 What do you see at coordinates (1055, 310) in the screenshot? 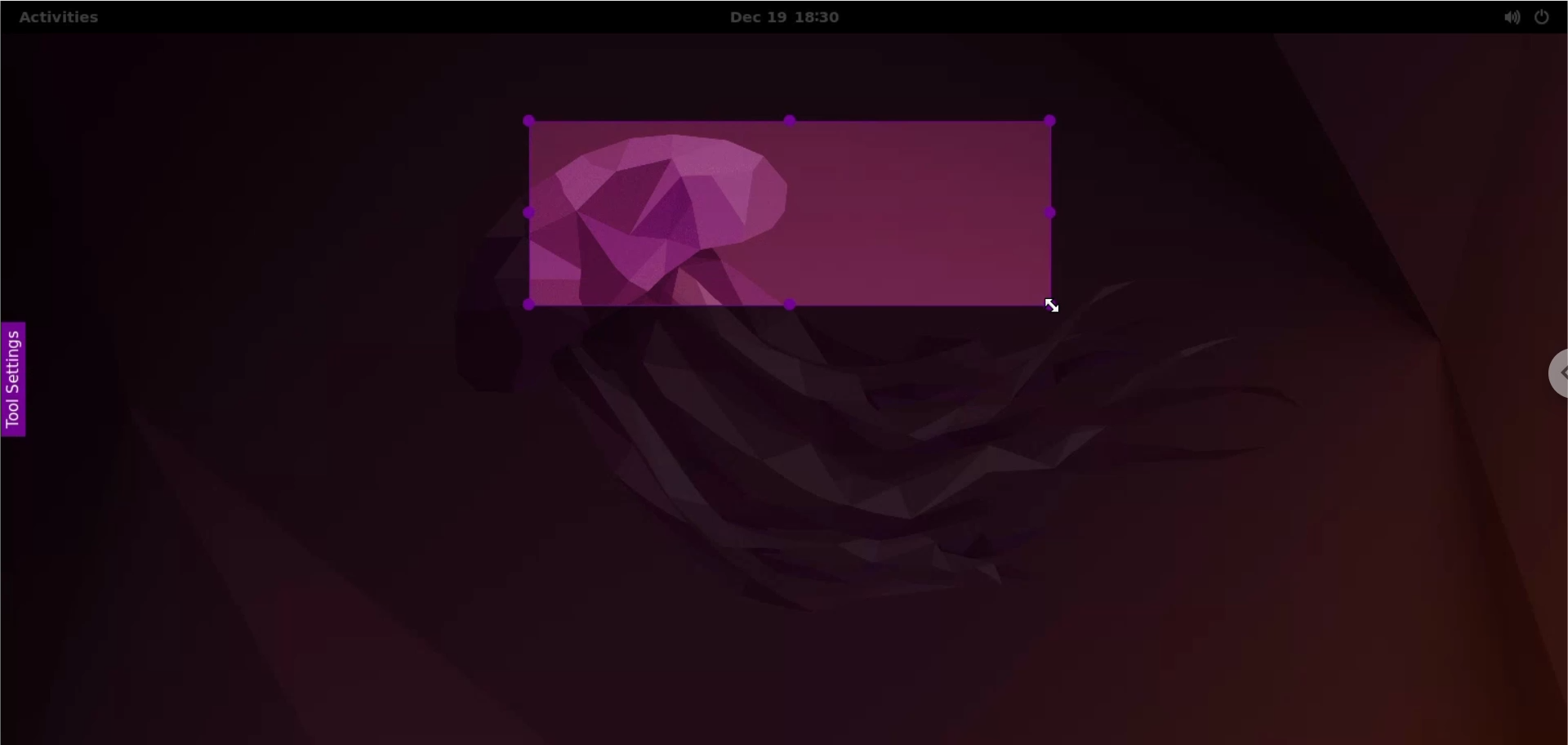
I see `cursor` at bounding box center [1055, 310].